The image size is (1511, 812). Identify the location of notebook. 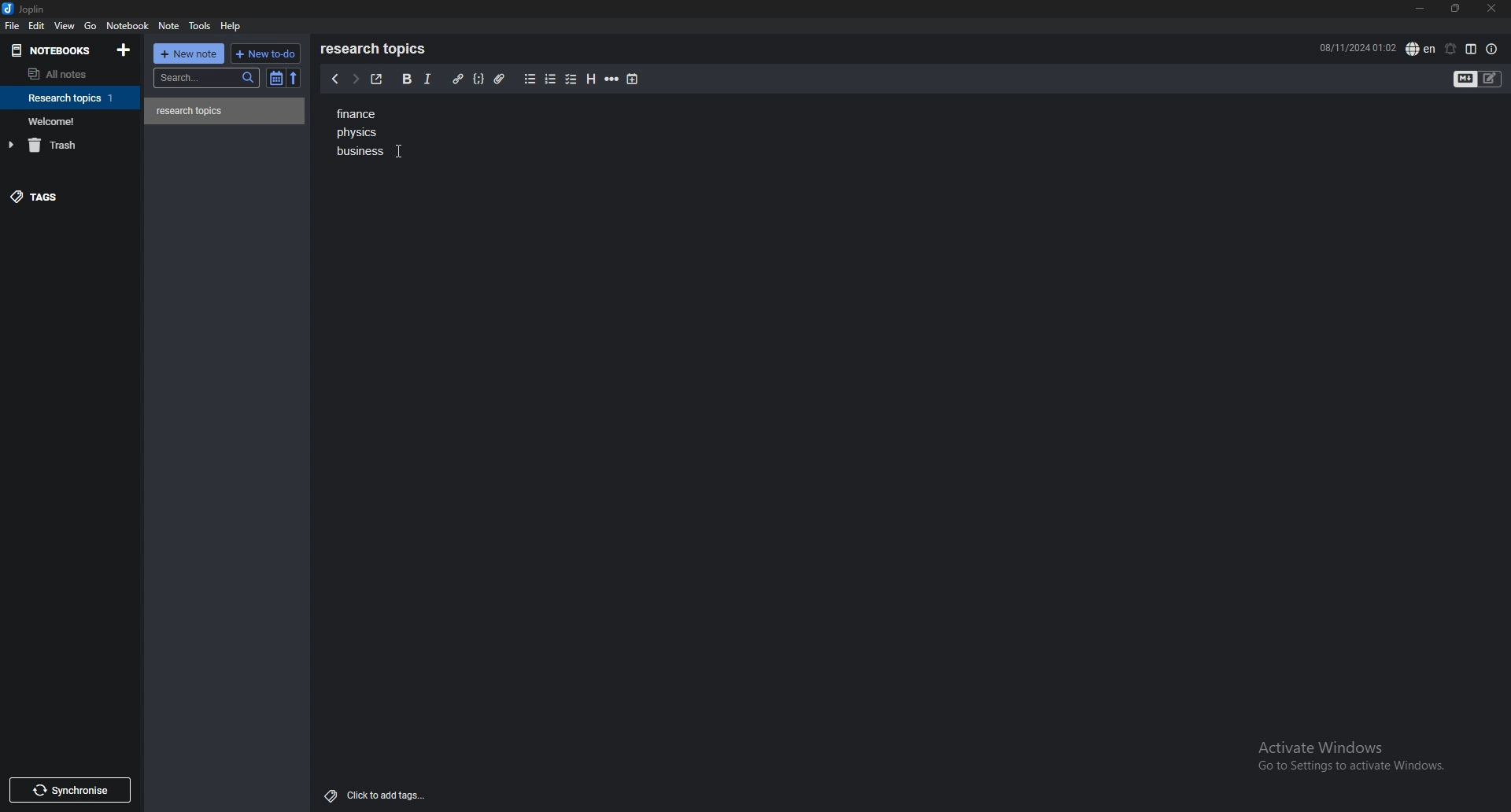
(129, 26).